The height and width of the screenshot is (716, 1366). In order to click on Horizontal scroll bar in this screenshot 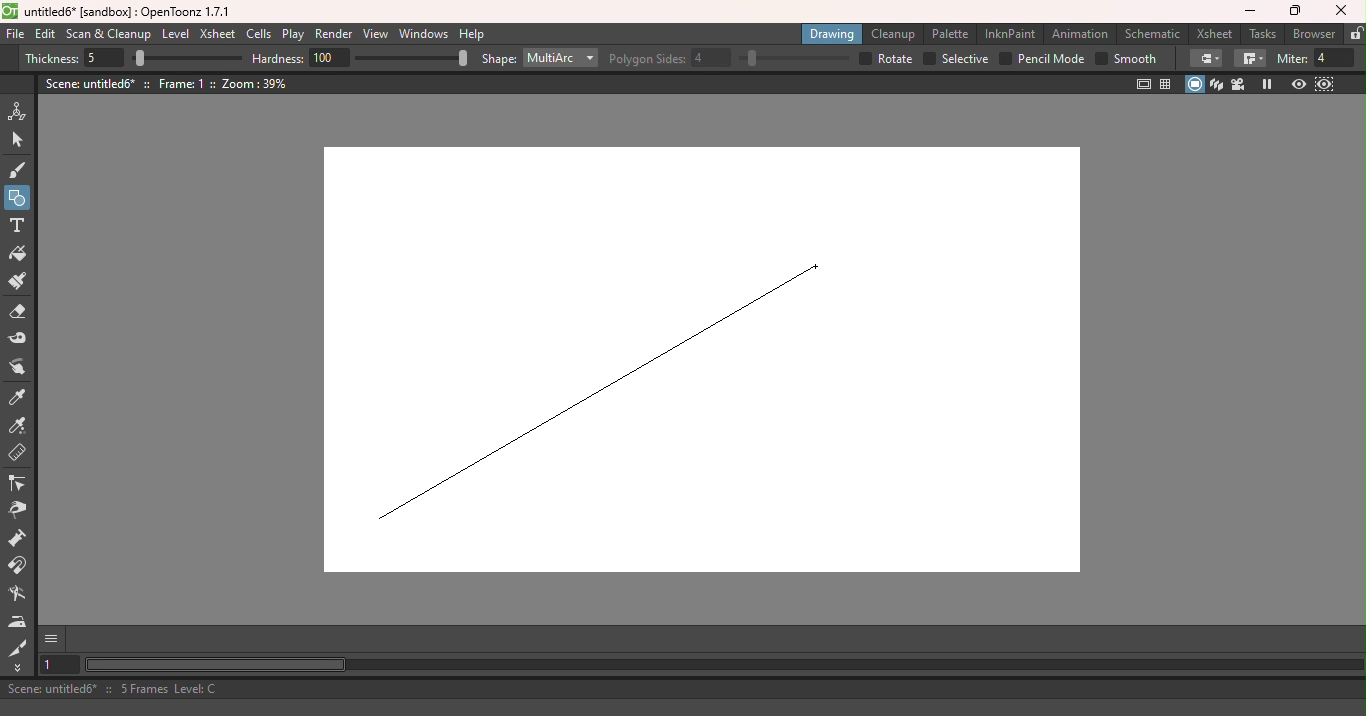, I will do `click(723, 665)`.